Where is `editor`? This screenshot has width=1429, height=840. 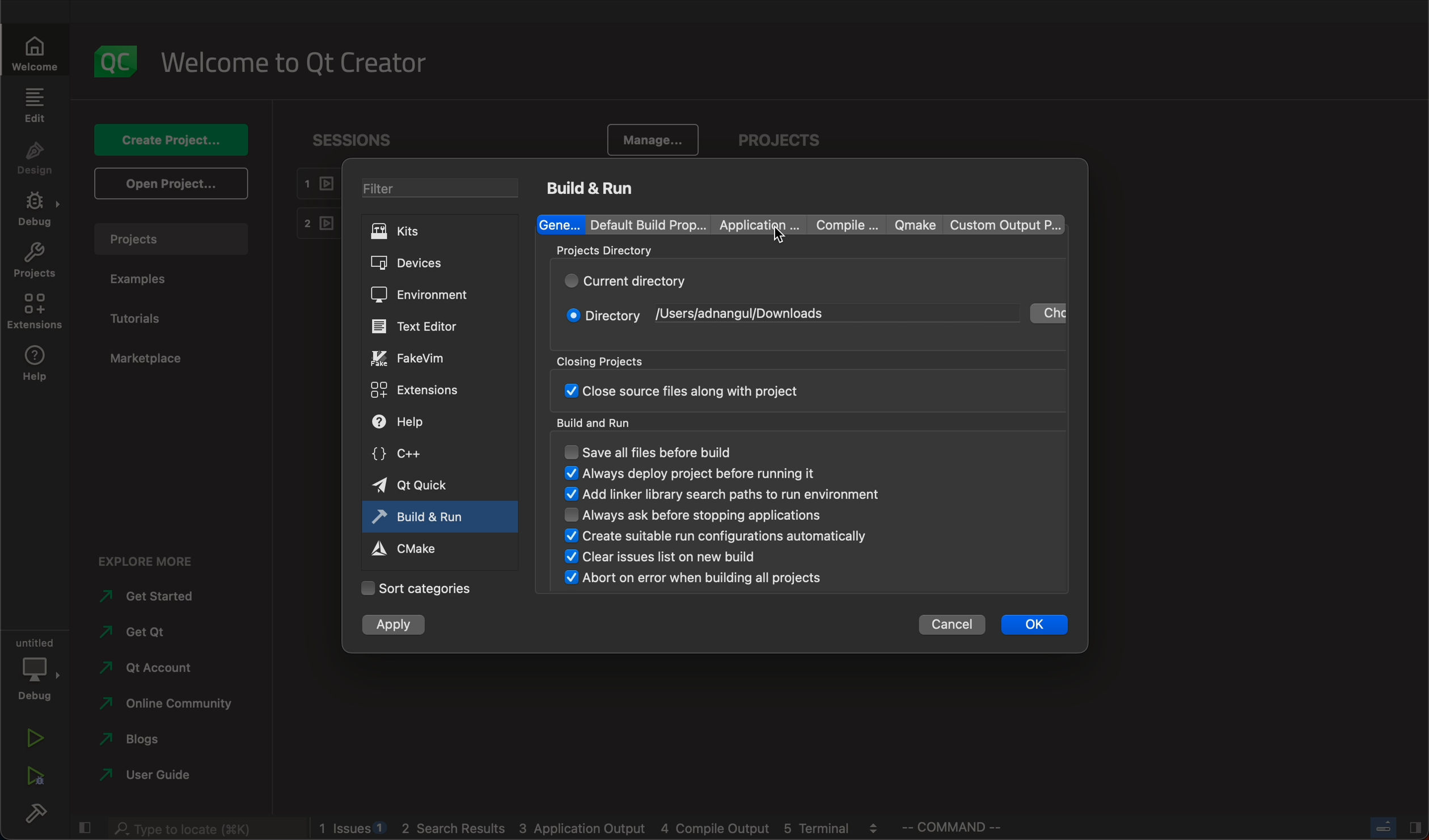 editor is located at coordinates (426, 325).